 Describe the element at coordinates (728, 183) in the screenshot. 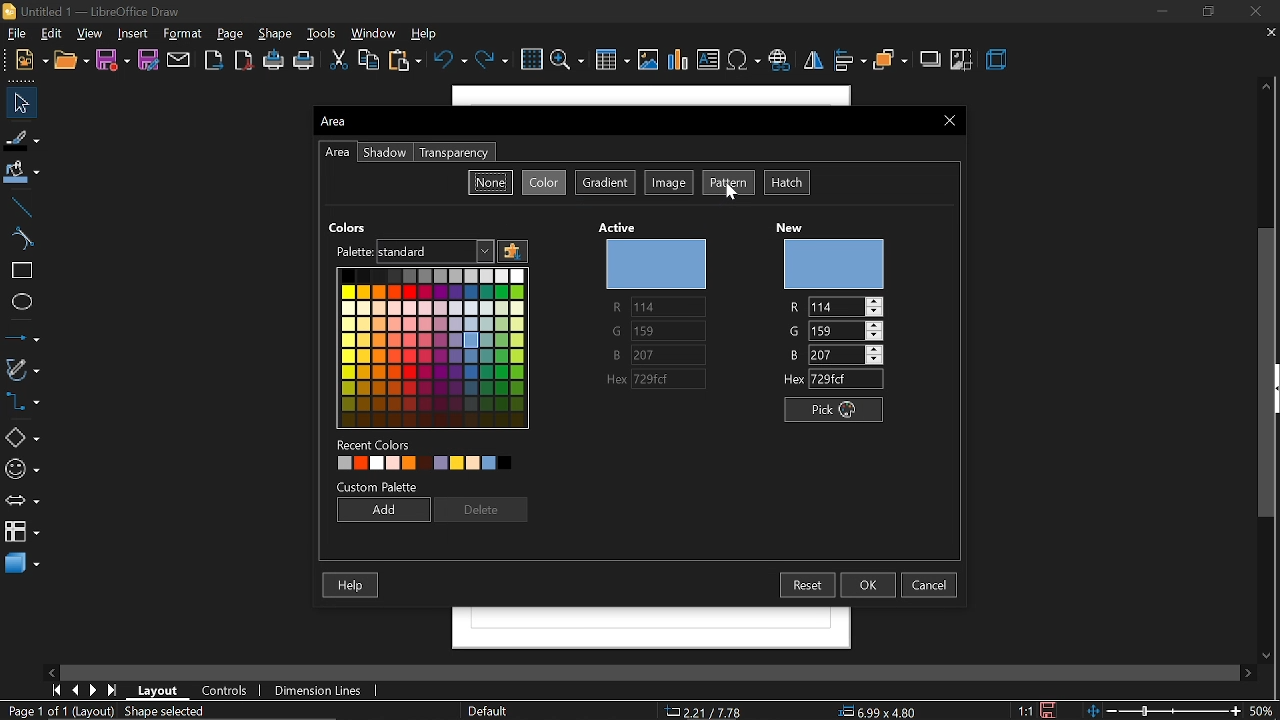

I see `pattern` at that location.